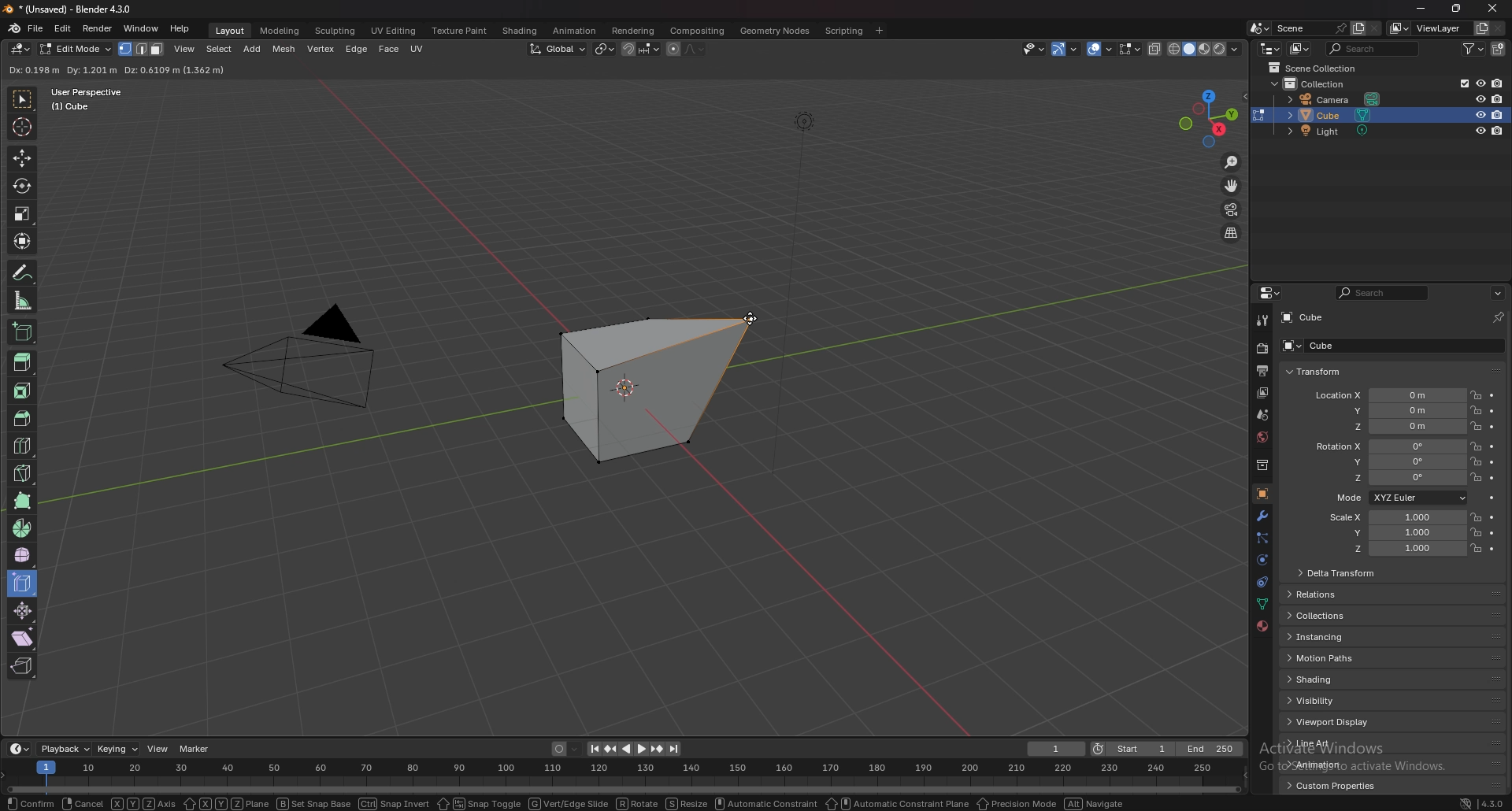 The width and height of the screenshot is (1512, 811). What do you see at coordinates (1217, 69) in the screenshot?
I see `options` at bounding box center [1217, 69].